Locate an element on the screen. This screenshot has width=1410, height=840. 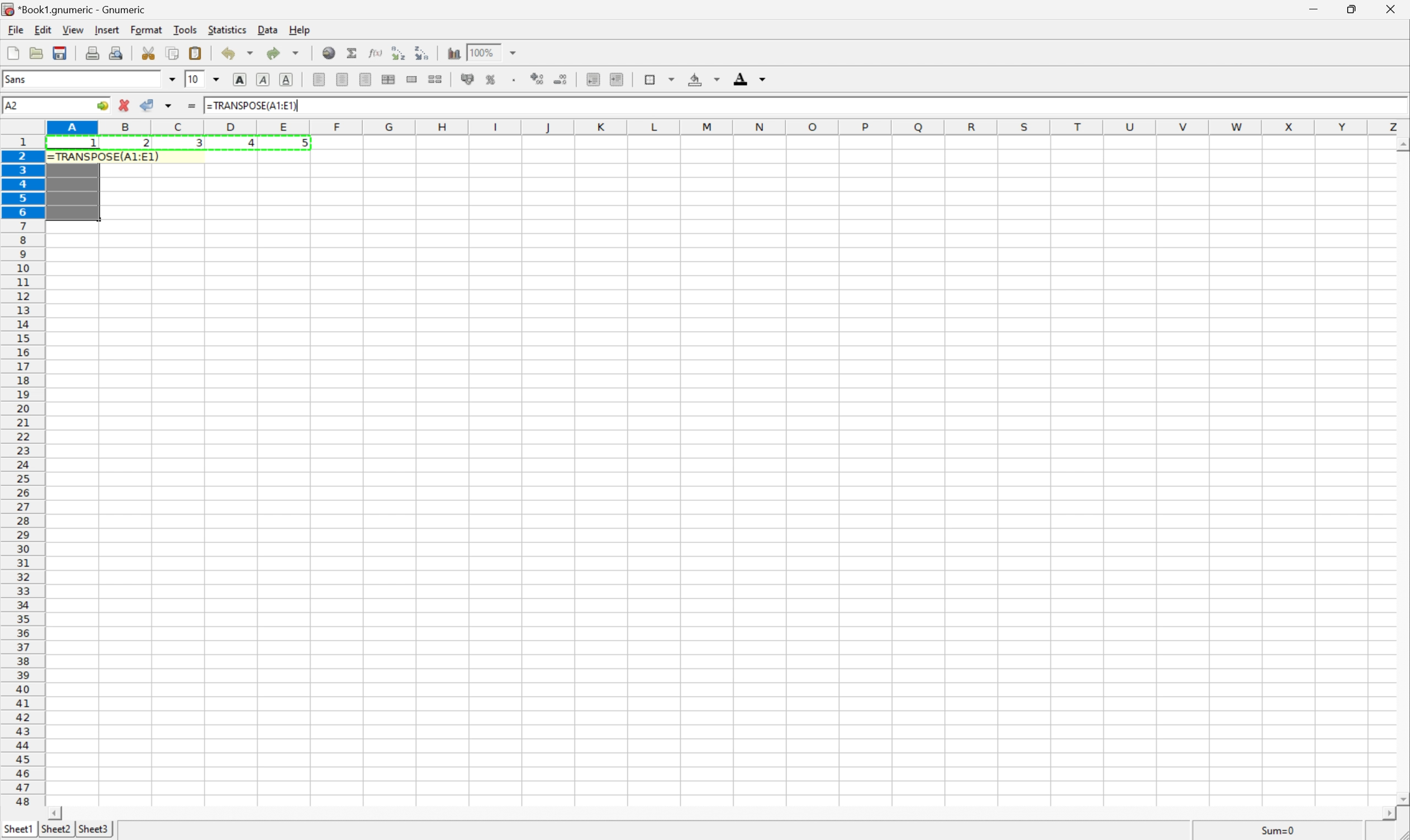
Set the format of the selected cells to include a thousands separator is located at coordinates (514, 80).